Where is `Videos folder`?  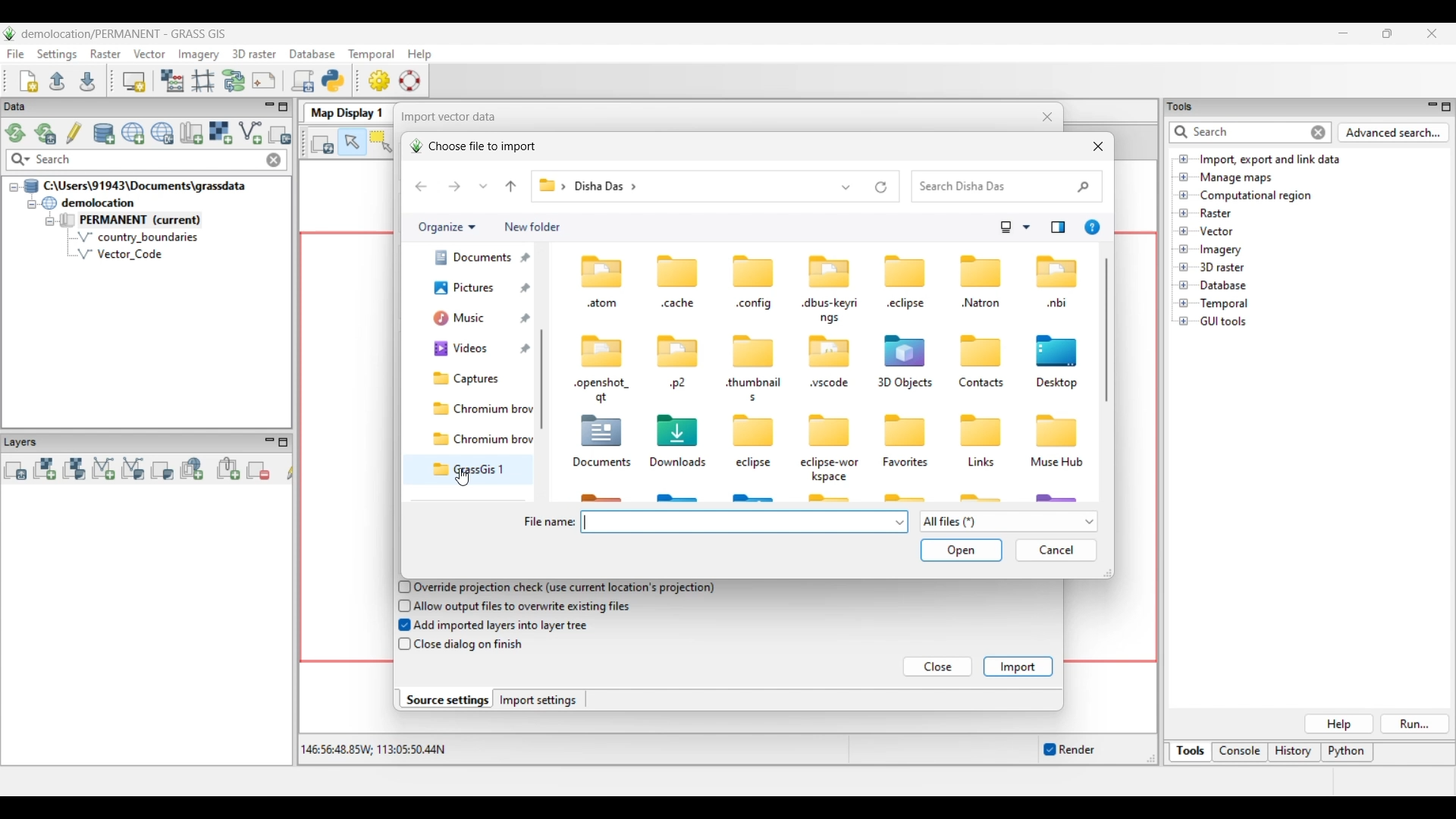 Videos folder is located at coordinates (478, 350).